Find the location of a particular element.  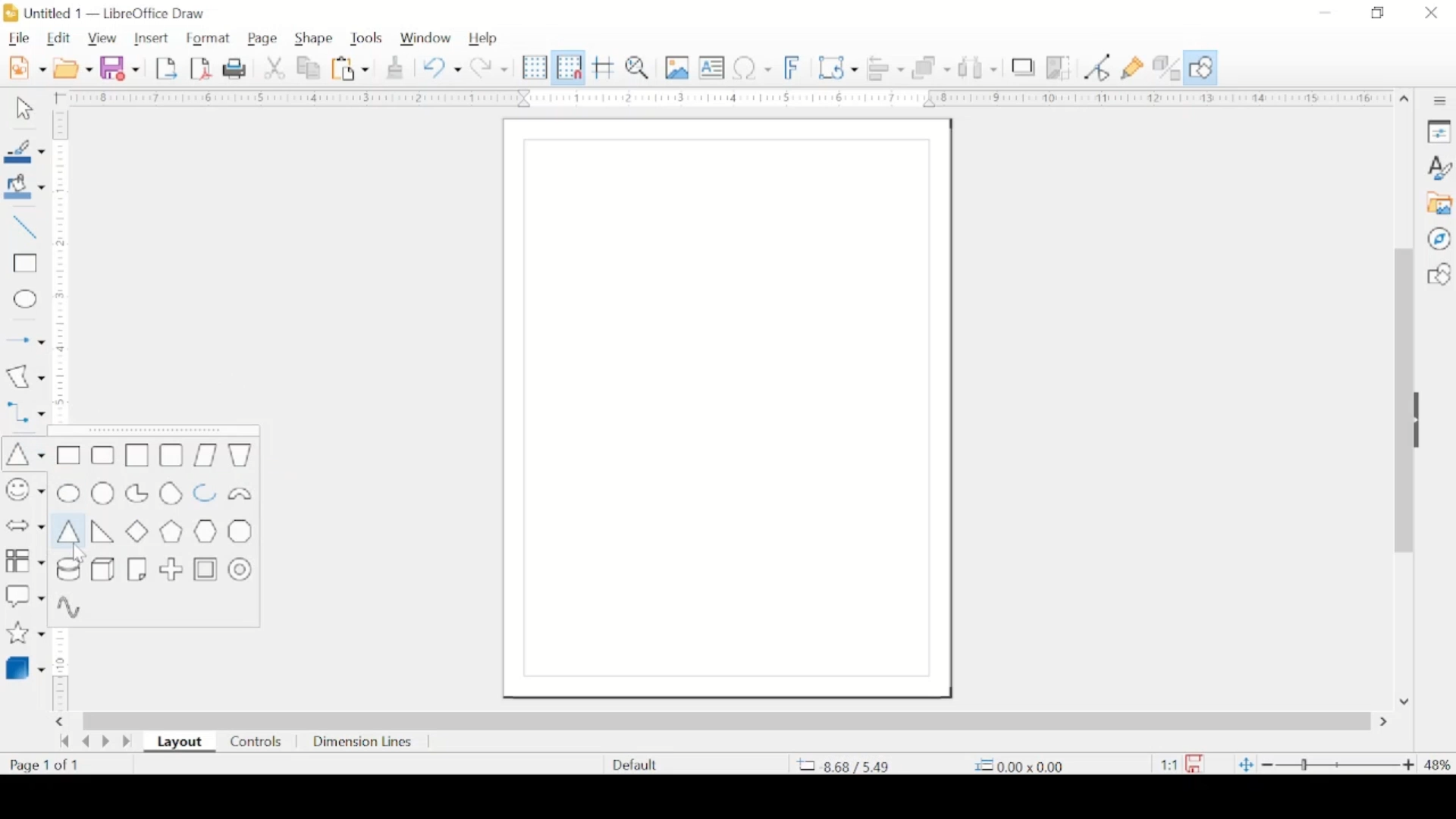

file is located at coordinates (19, 37).